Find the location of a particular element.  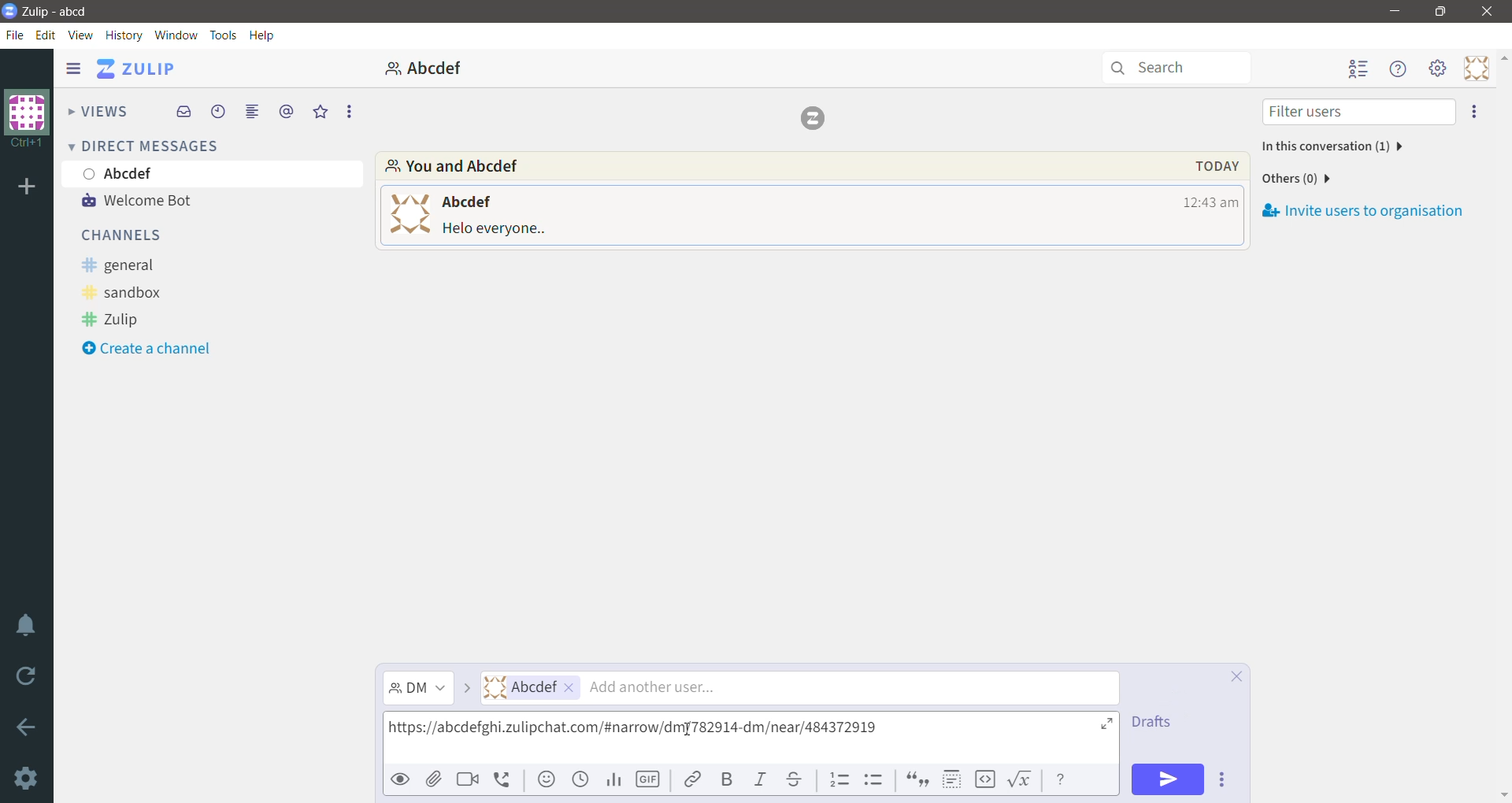

Organization Name is located at coordinates (27, 189).